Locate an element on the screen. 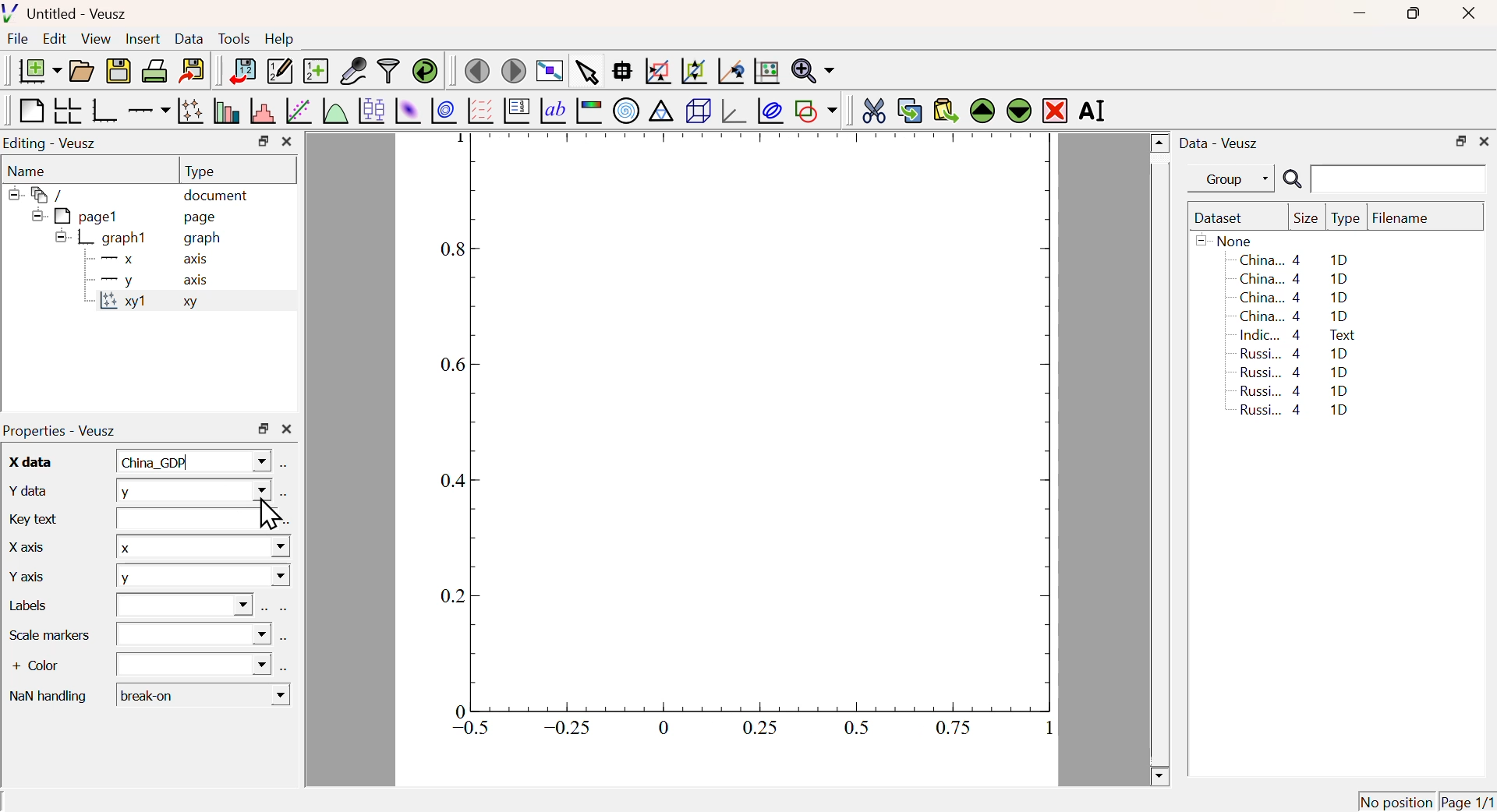  Move Up is located at coordinates (984, 111).